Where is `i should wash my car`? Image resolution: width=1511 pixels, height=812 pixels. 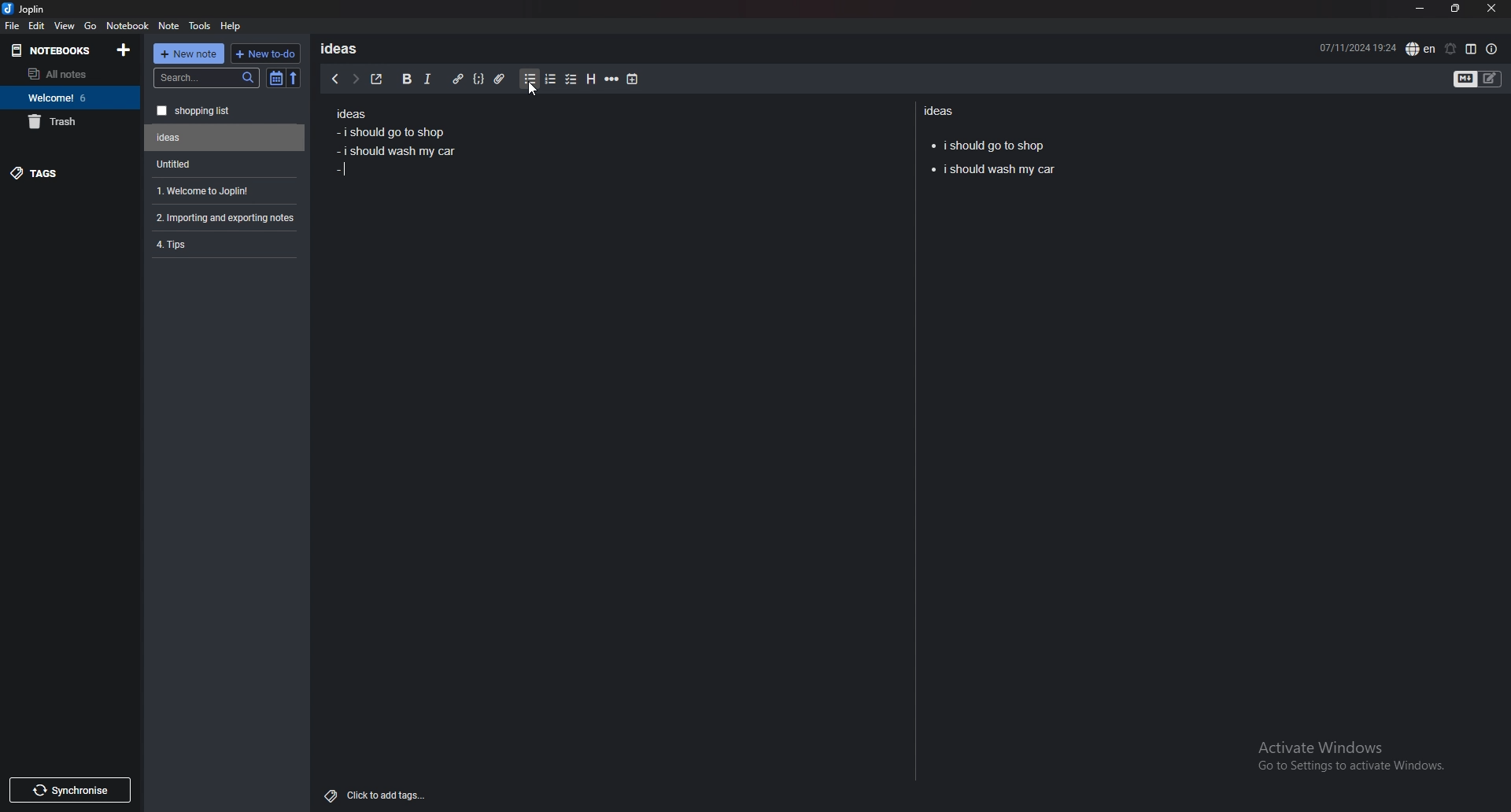 i should wash my car is located at coordinates (399, 152).